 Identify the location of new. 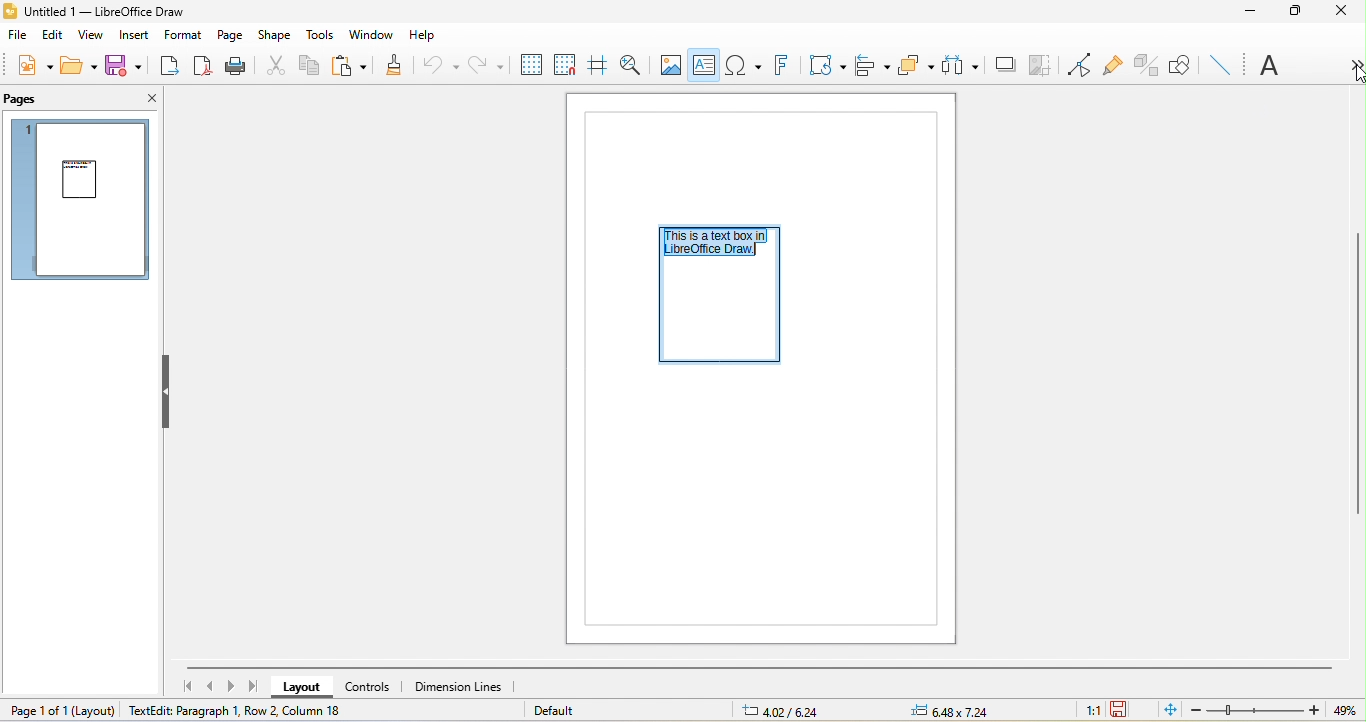
(29, 65).